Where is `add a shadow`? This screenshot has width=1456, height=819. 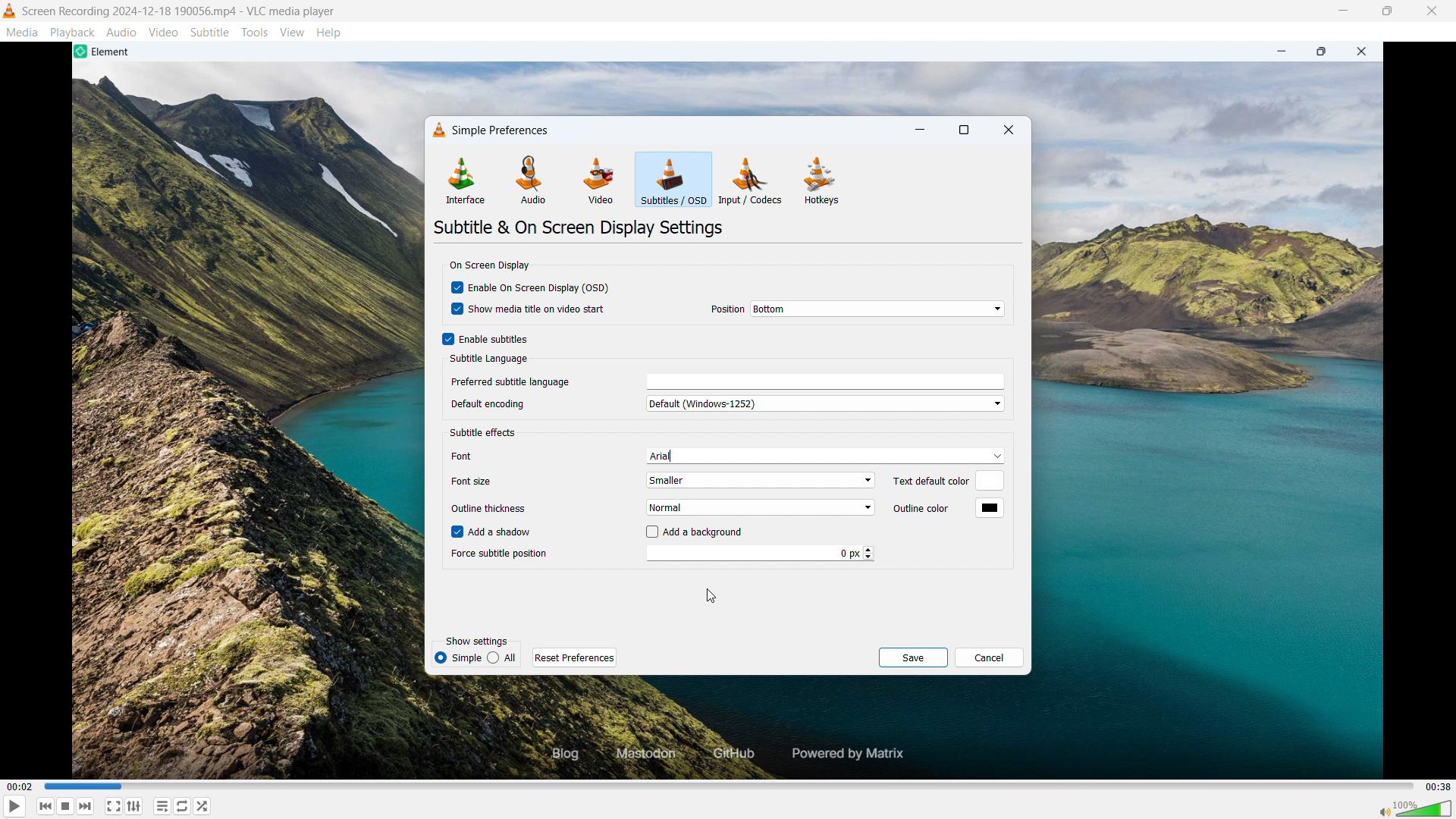
add a shadow is located at coordinates (493, 532).